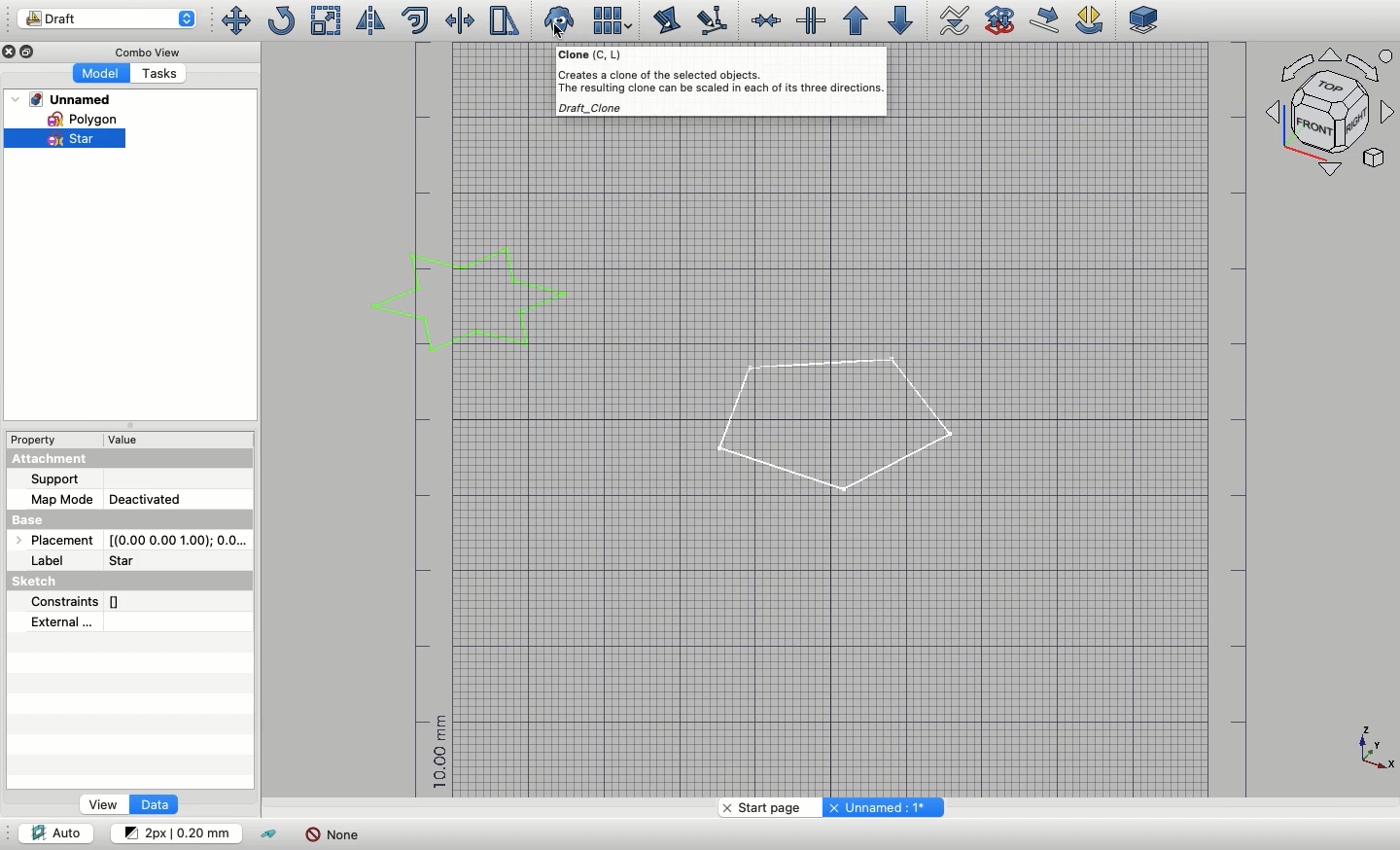 This screenshot has width=1400, height=850. What do you see at coordinates (54, 539) in the screenshot?
I see `Placement` at bounding box center [54, 539].